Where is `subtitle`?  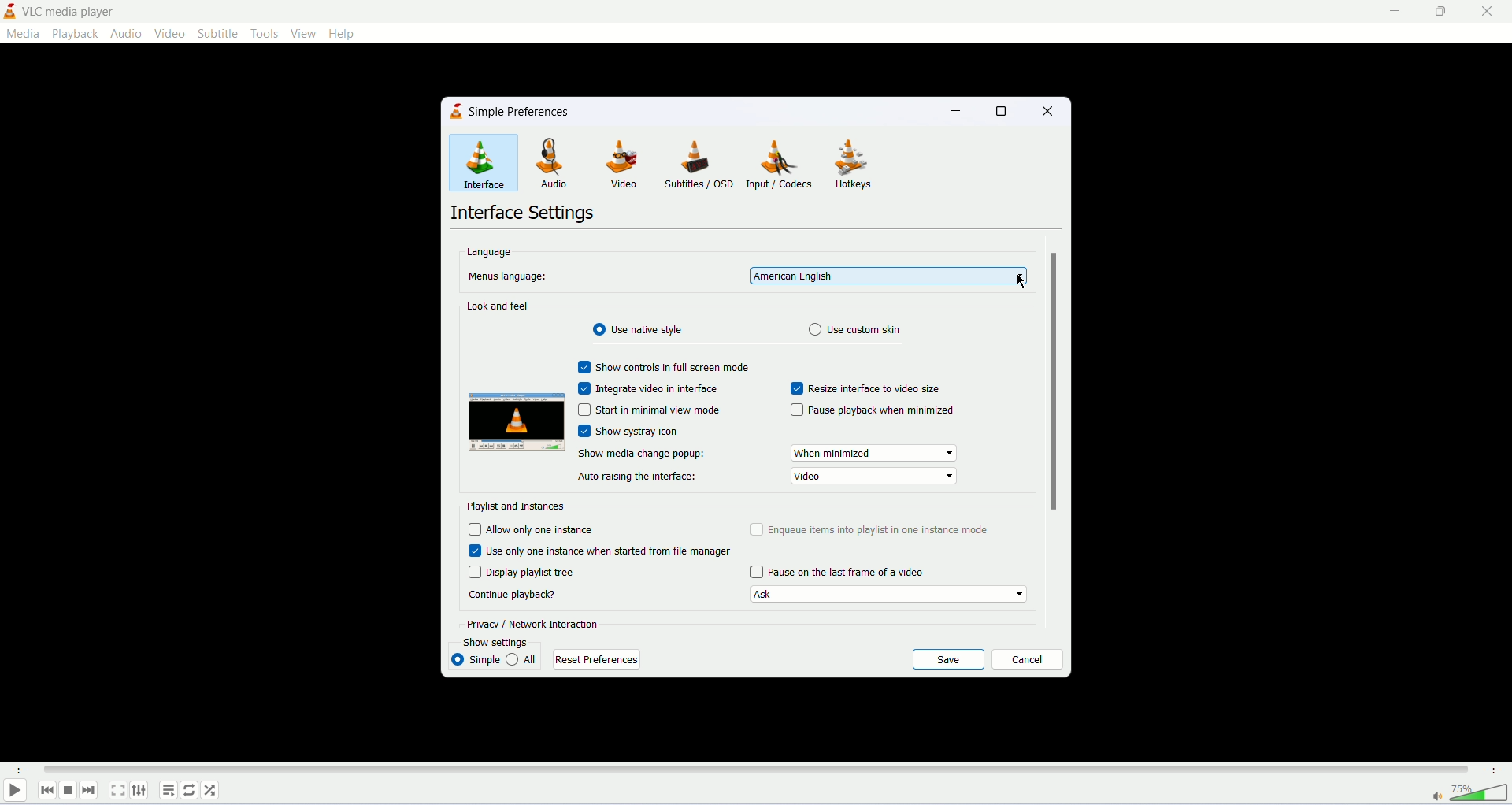 subtitle is located at coordinates (220, 33).